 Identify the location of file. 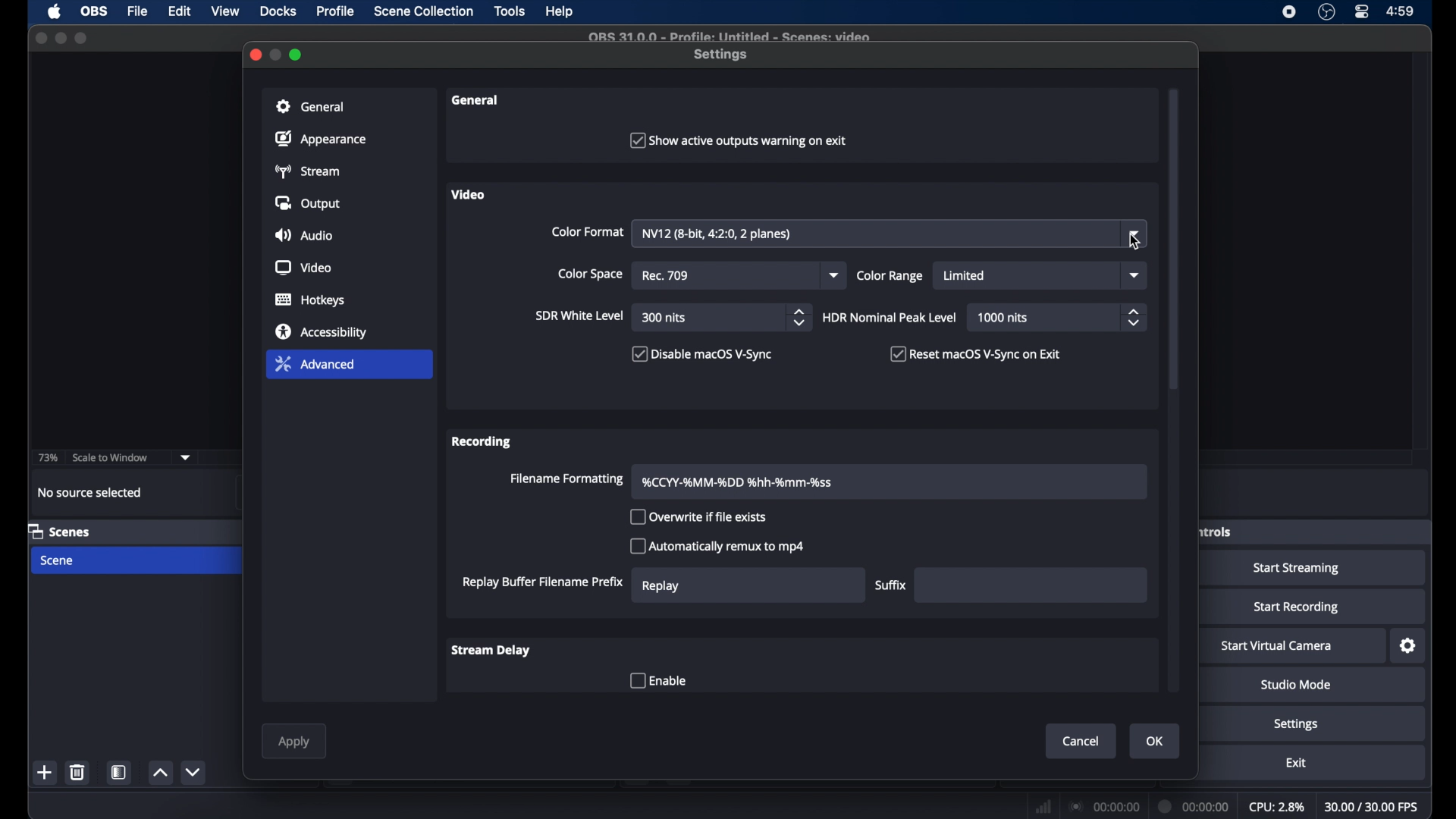
(140, 11).